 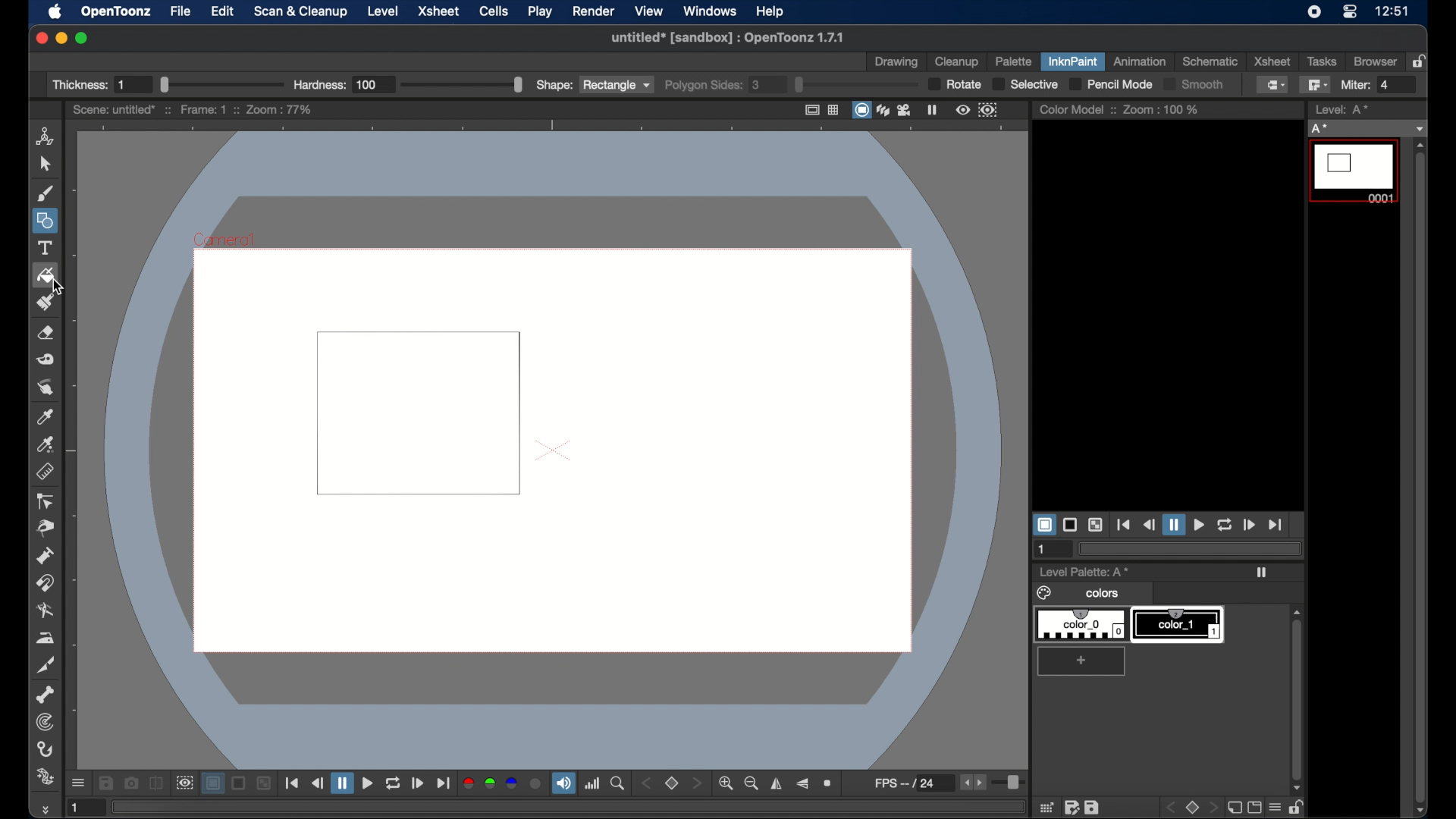 What do you see at coordinates (1394, 11) in the screenshot?
I see `12:51` at bounding box center [1394, 11].